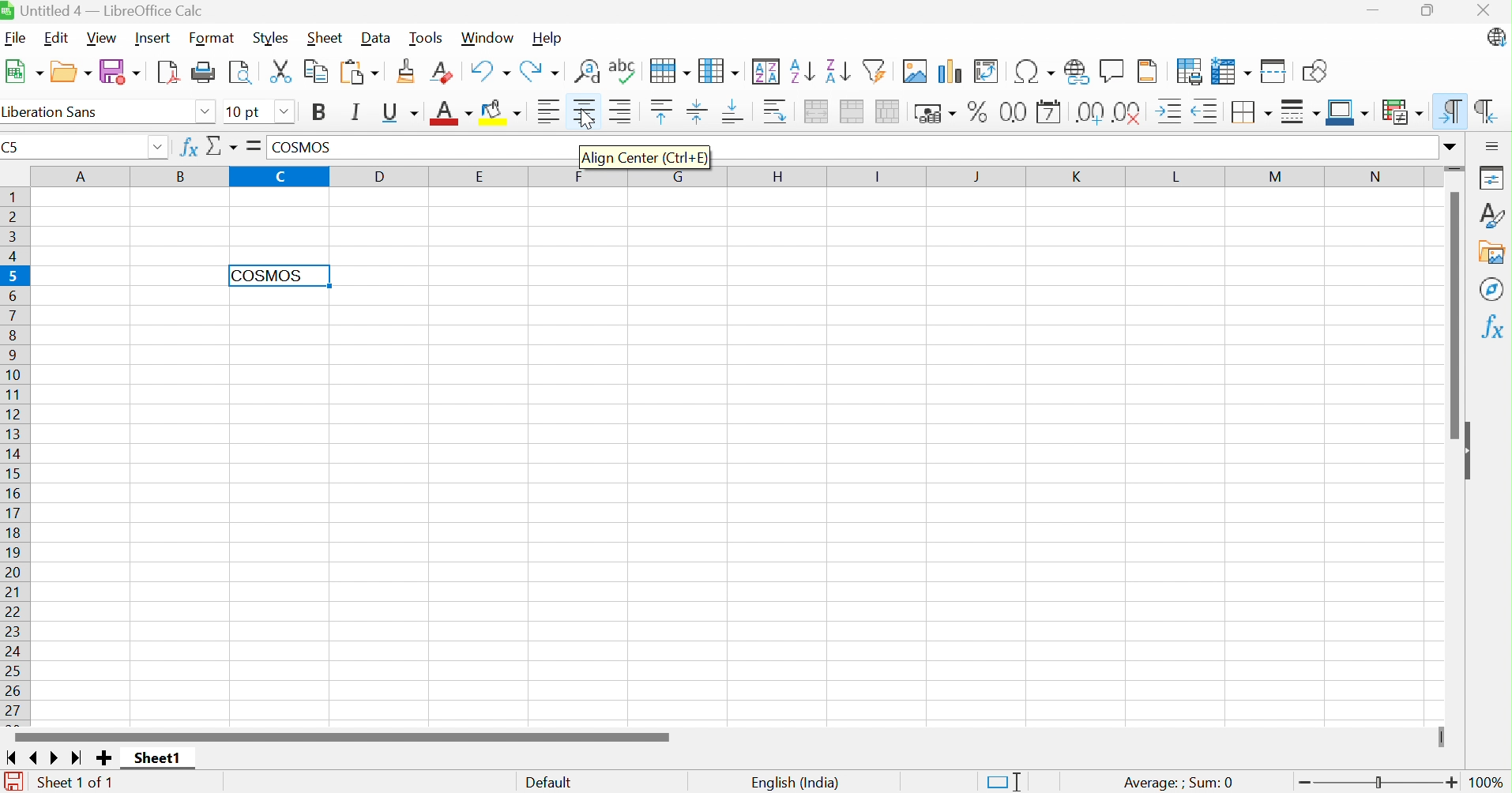  What do you see at coordinates (104, 757) in the screenshot?
I see `Add New Sheet` at bounding box center [104, 757].